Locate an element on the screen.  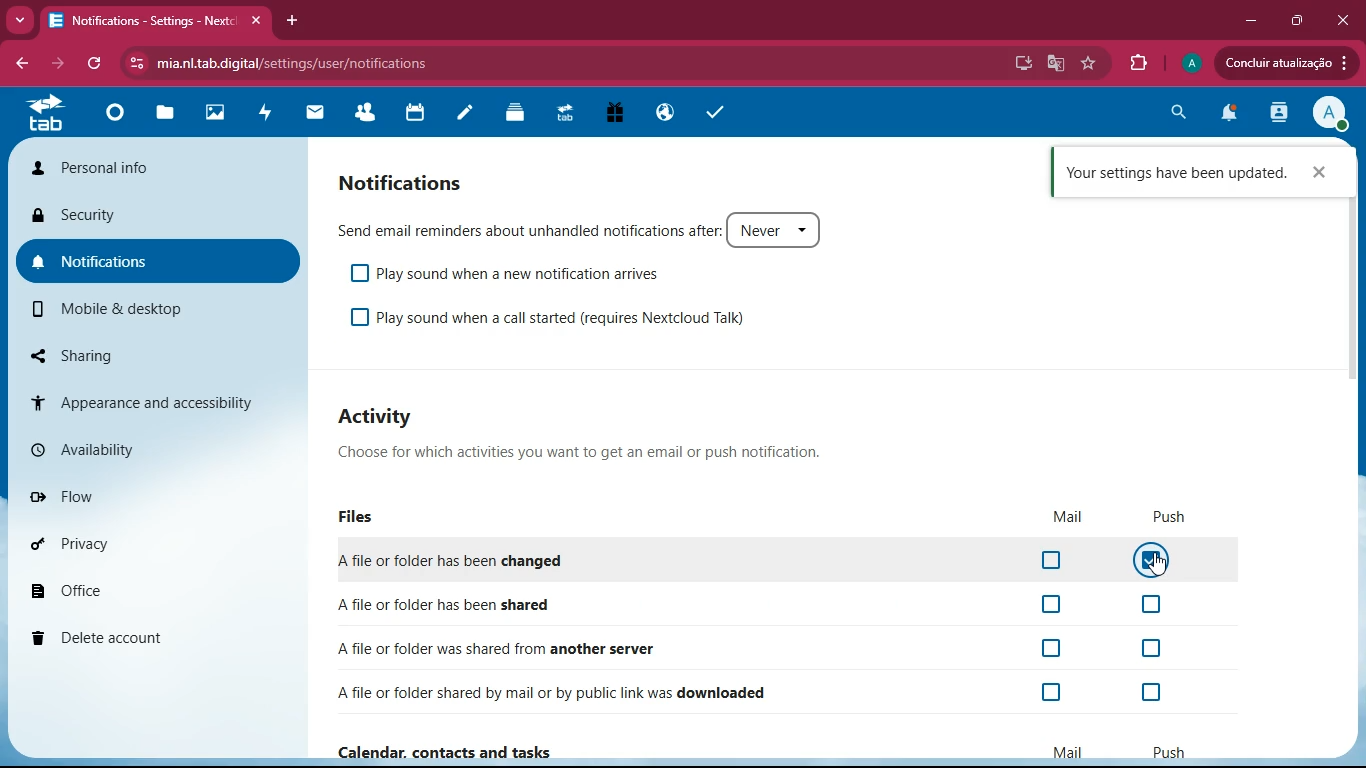
mobile is located at coordinates (125, 308).